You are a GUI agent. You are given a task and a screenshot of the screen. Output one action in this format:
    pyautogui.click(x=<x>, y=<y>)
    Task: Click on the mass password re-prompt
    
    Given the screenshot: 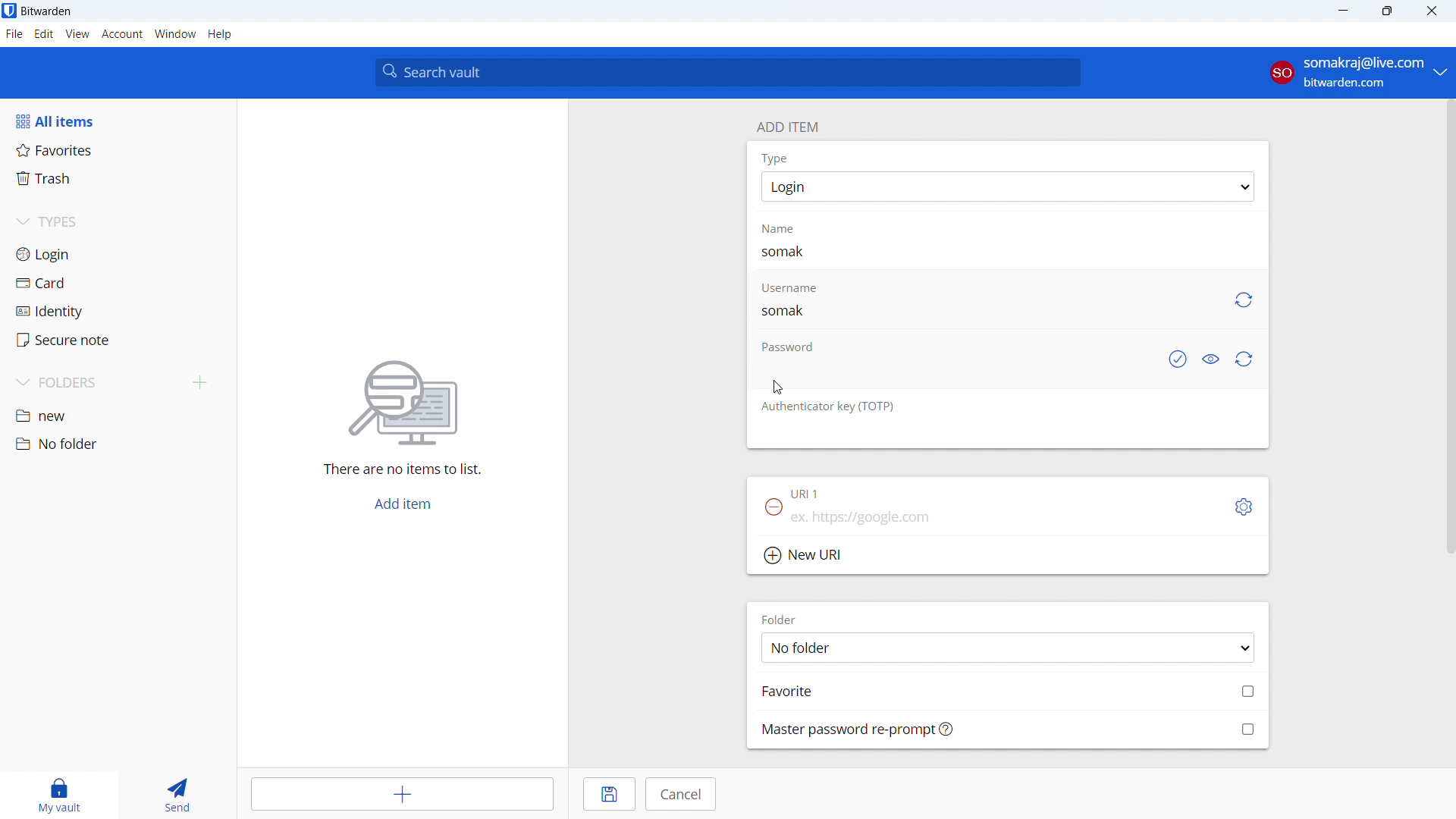 What is the action you would take?
    pyautogui.click(x=1009, y=729)
    